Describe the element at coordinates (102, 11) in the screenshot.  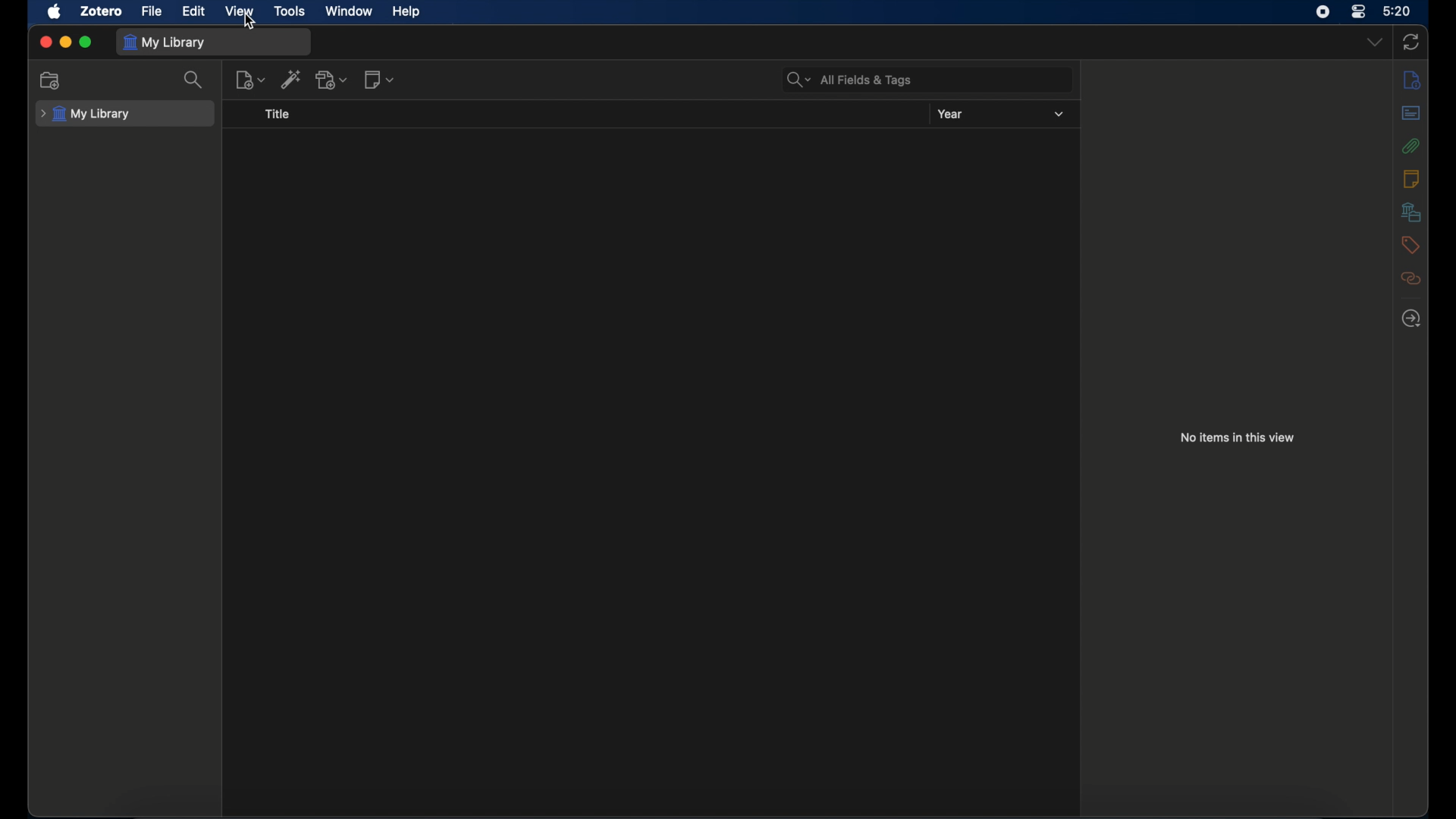
I see `zotero` at that location.